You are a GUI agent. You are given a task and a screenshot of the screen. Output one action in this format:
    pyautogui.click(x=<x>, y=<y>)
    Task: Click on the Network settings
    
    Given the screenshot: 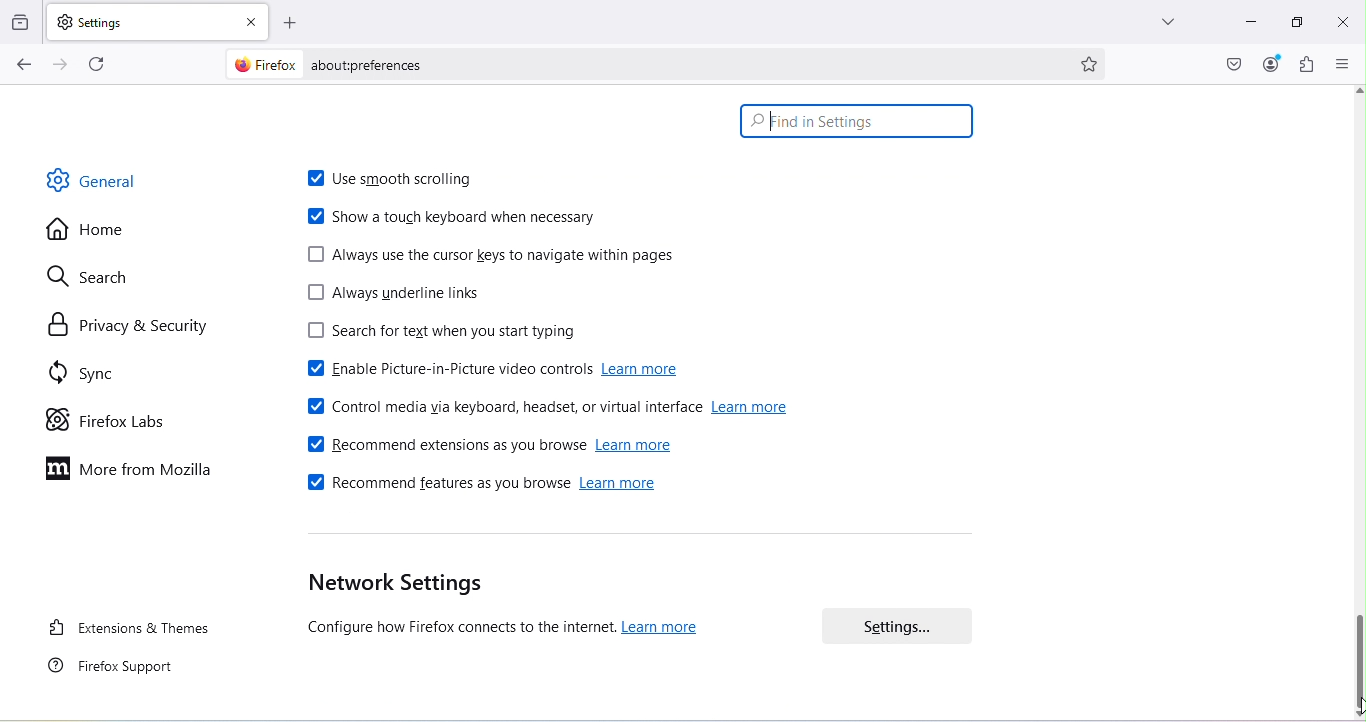 What is the action you would take?
    pyautogui.click(x=453, y=608)
    